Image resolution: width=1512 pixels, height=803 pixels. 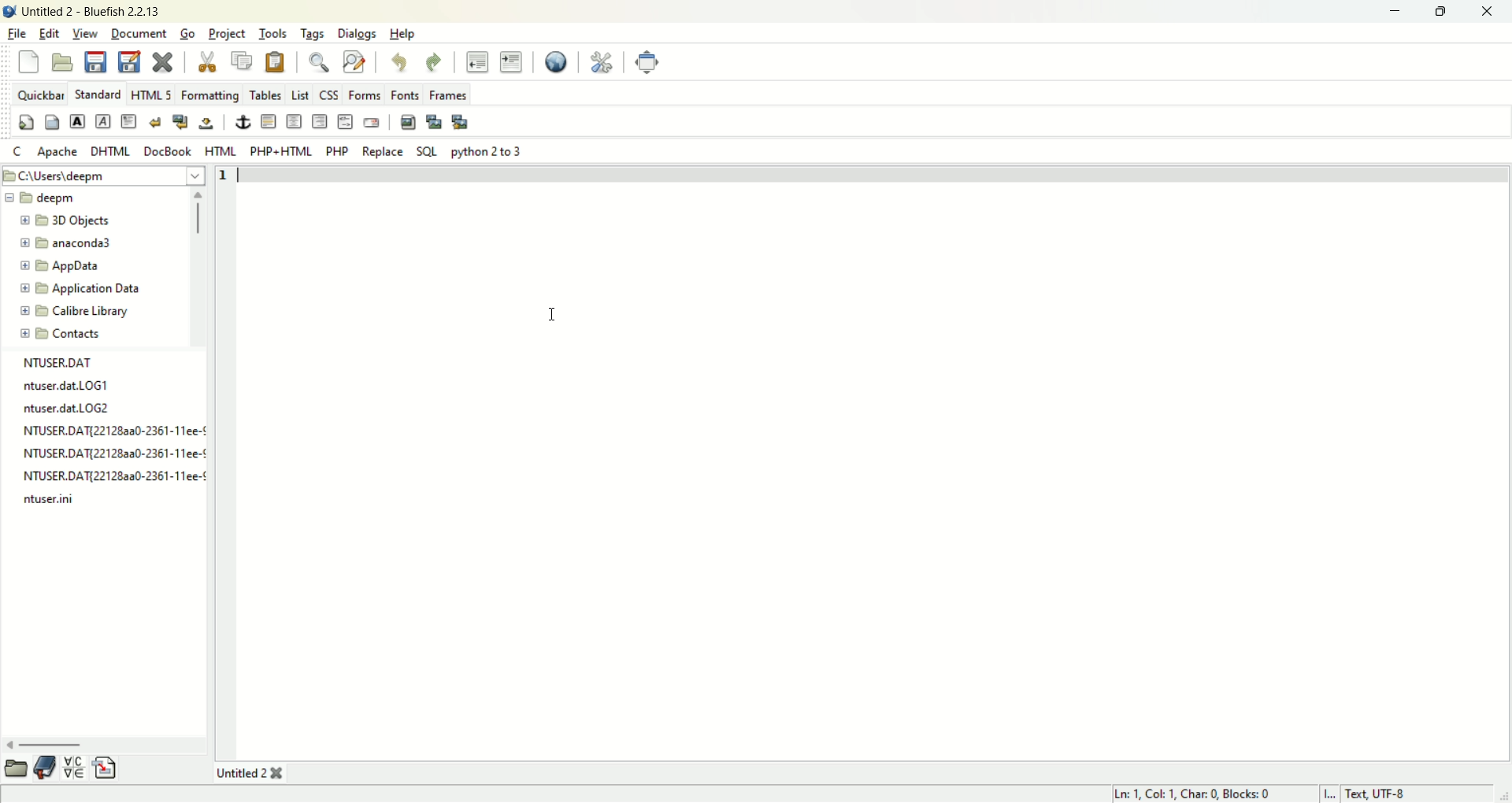 What do you see at coordinates (558, 60) in the screenshot?
I see `preview in browser` at bounding box center [558, 60].